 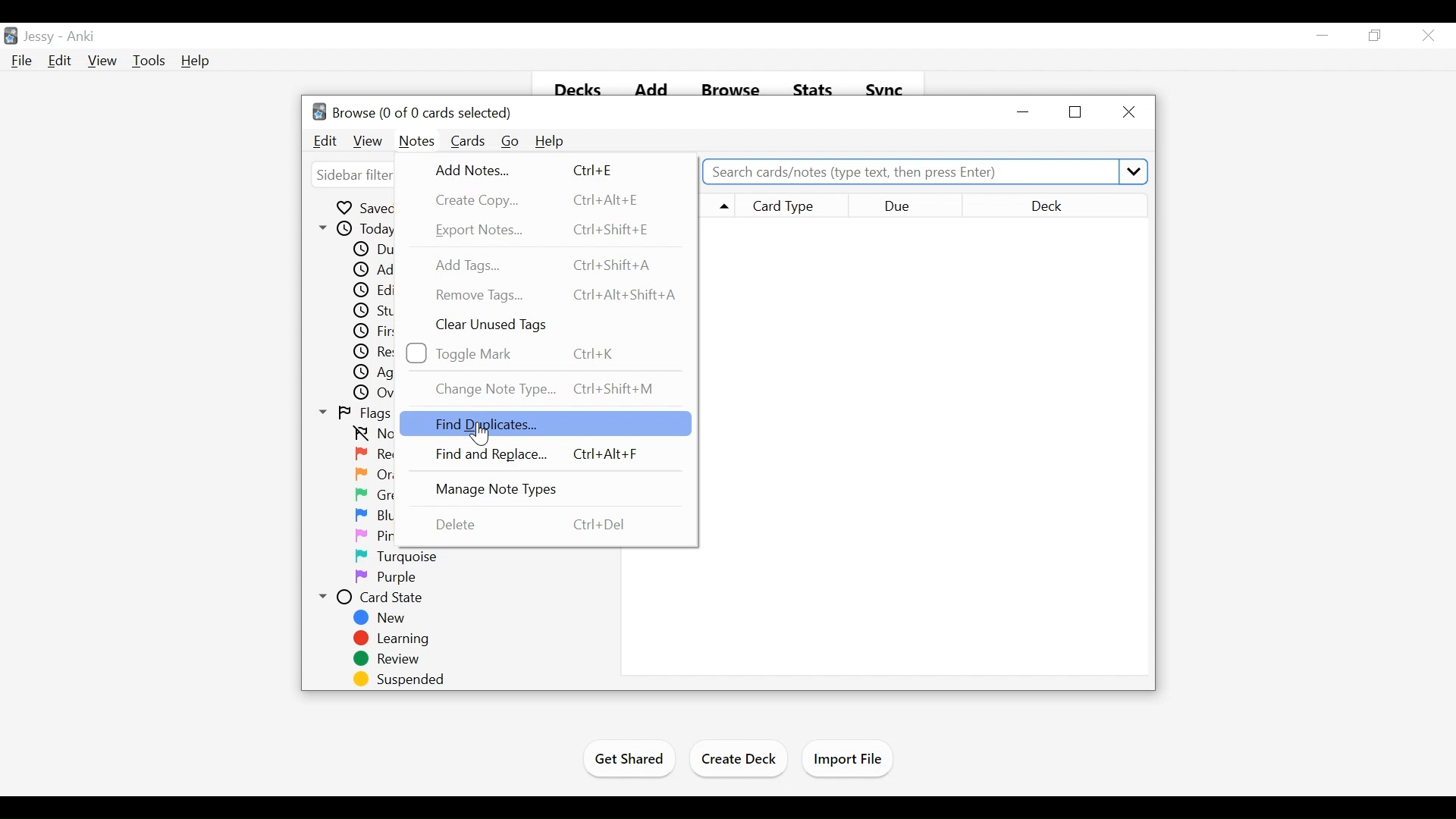 What do you see at coordinates (383, 331) in the screenshot?
I see `First Review` at bounding box center [383, 331].